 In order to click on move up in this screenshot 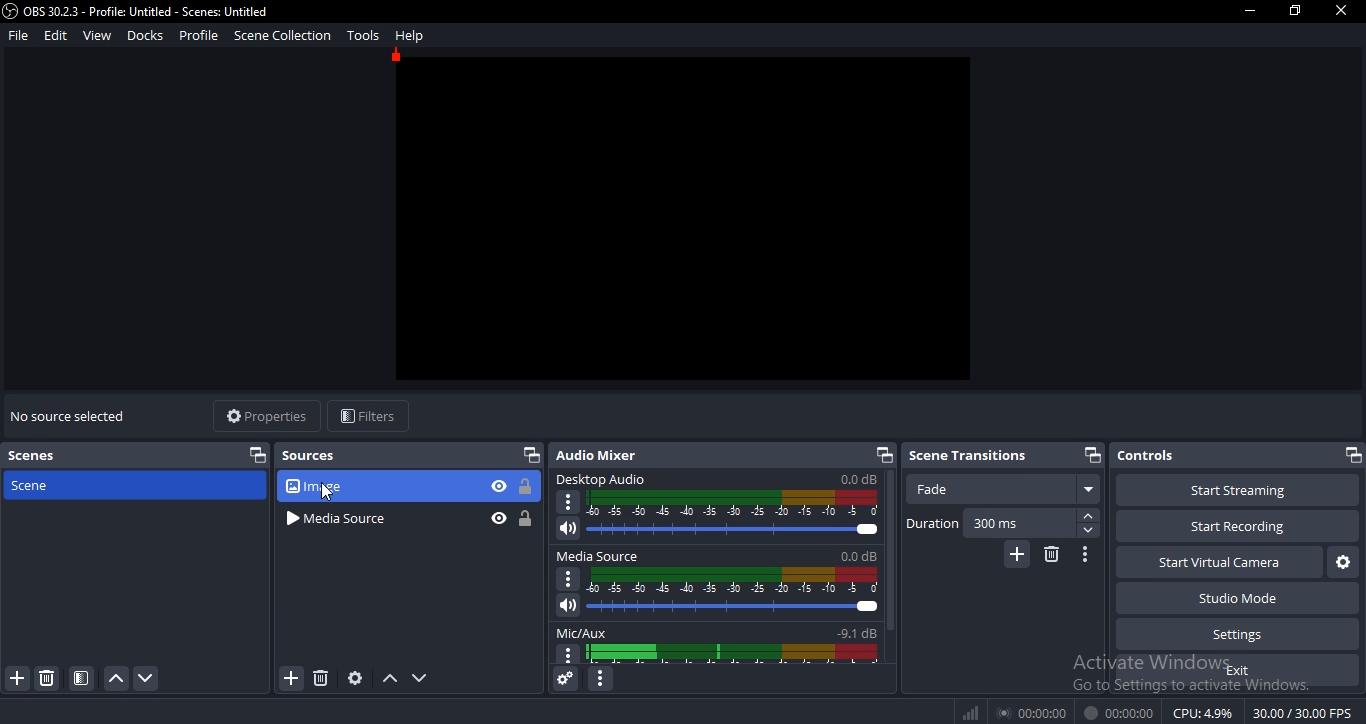, I will do `click(388, 679)`.